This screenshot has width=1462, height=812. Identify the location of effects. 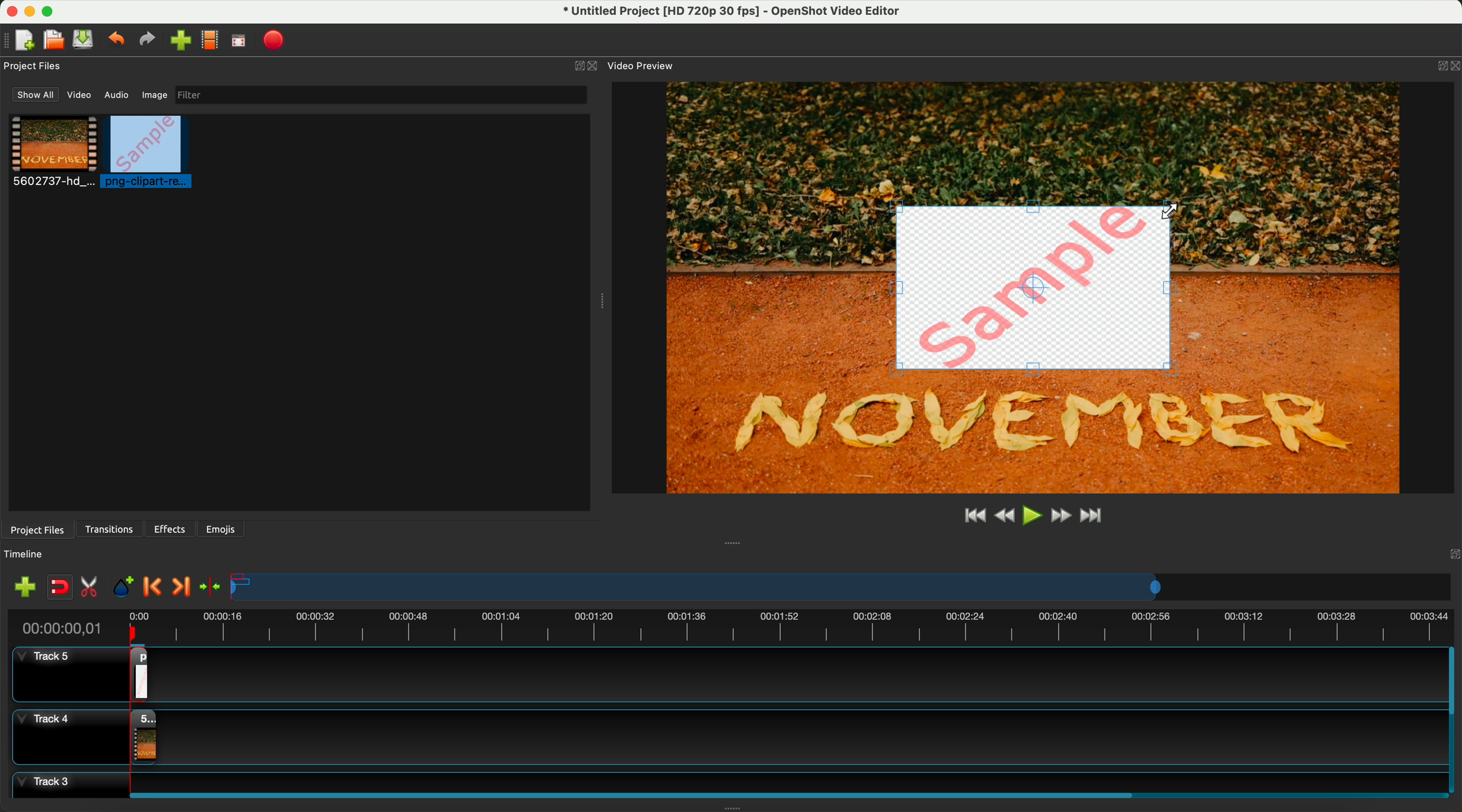
(171, 529).